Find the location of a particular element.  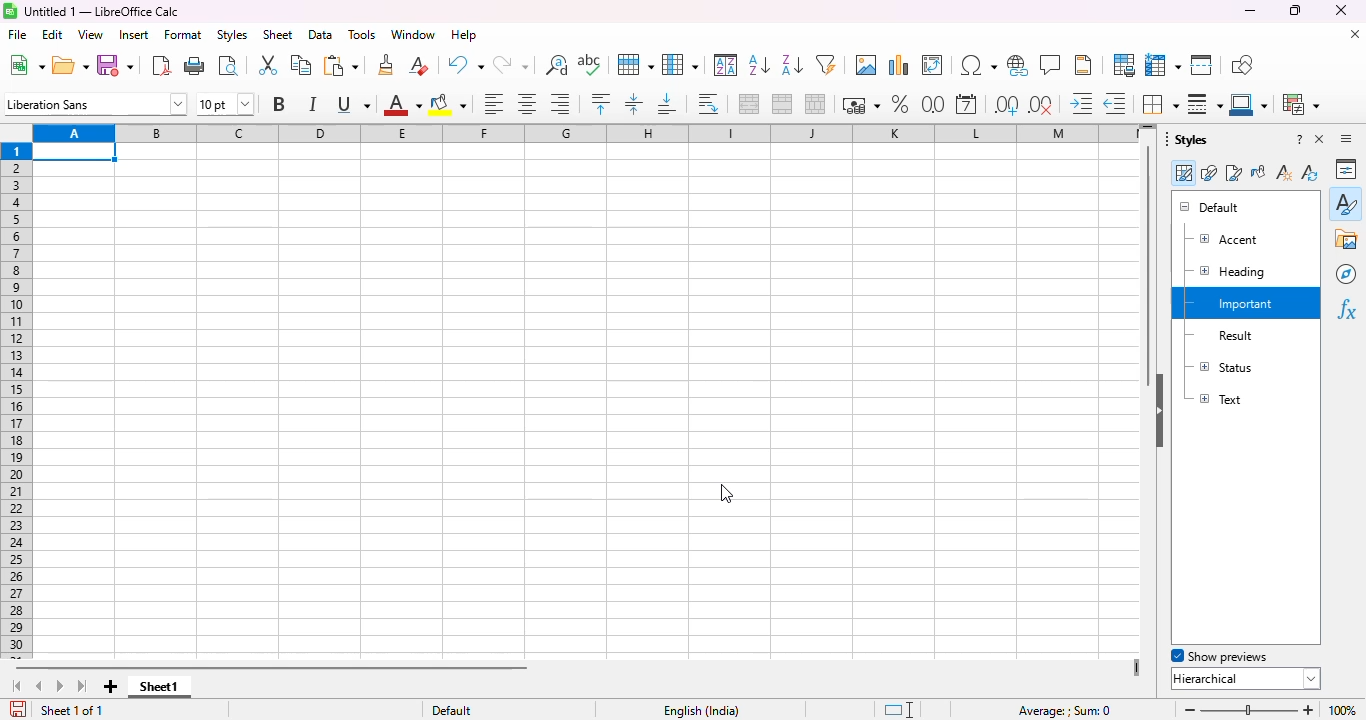

text language is located at coordinates (700, 711).